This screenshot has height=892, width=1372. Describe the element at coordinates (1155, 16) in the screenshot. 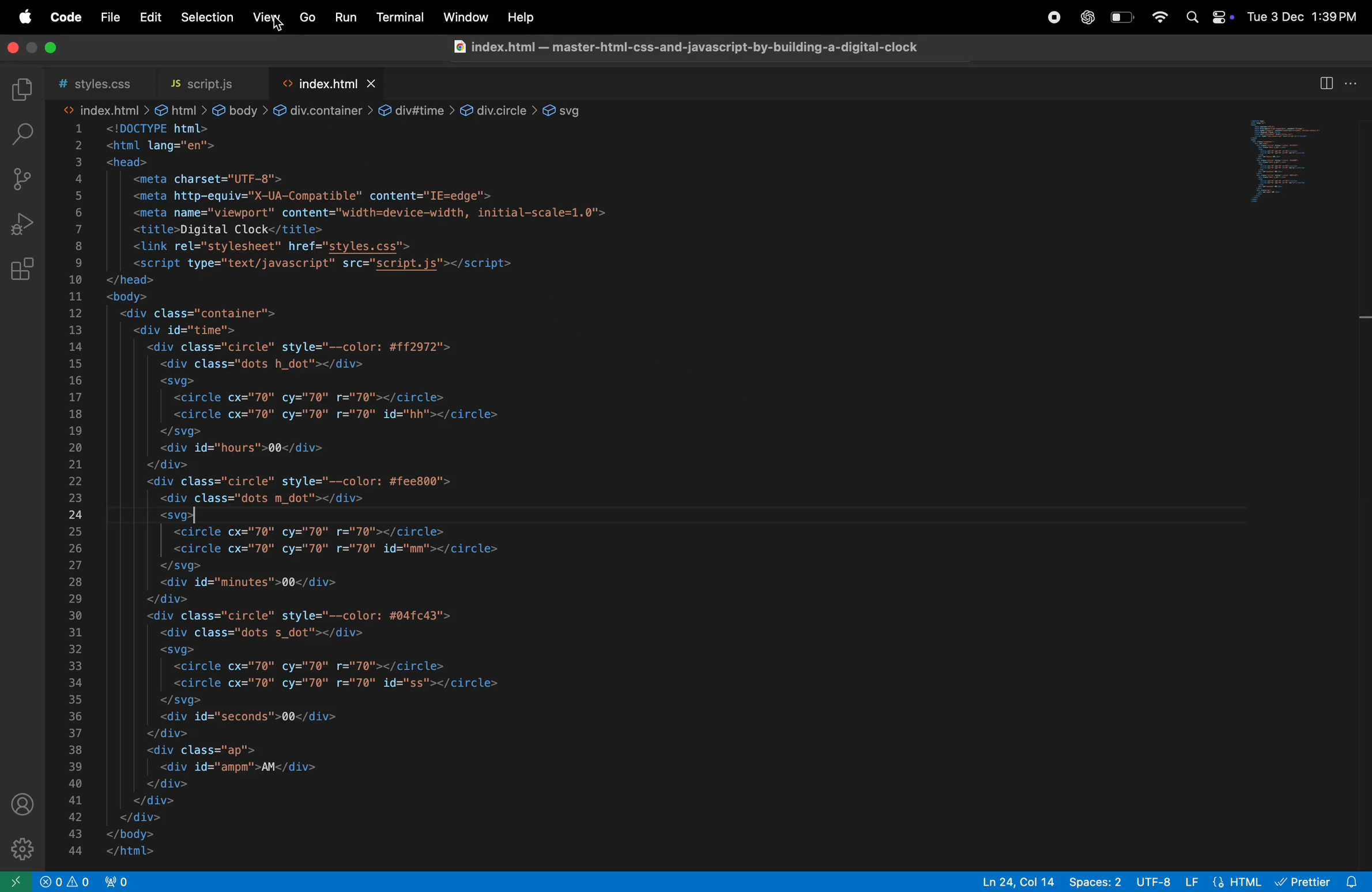

I see `wifi` at that location.